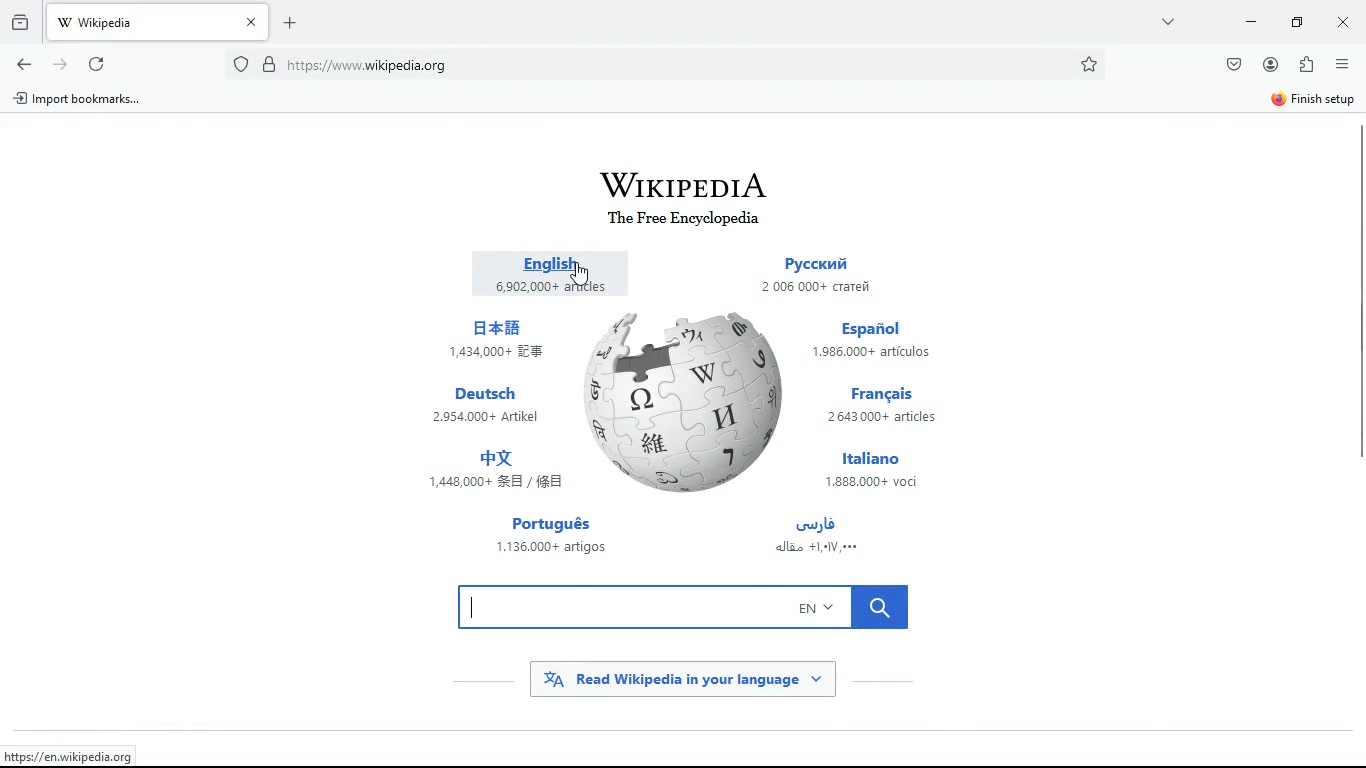  Describe the element at coordinates (885, 340) in the screenshot. I see `español` at that location.